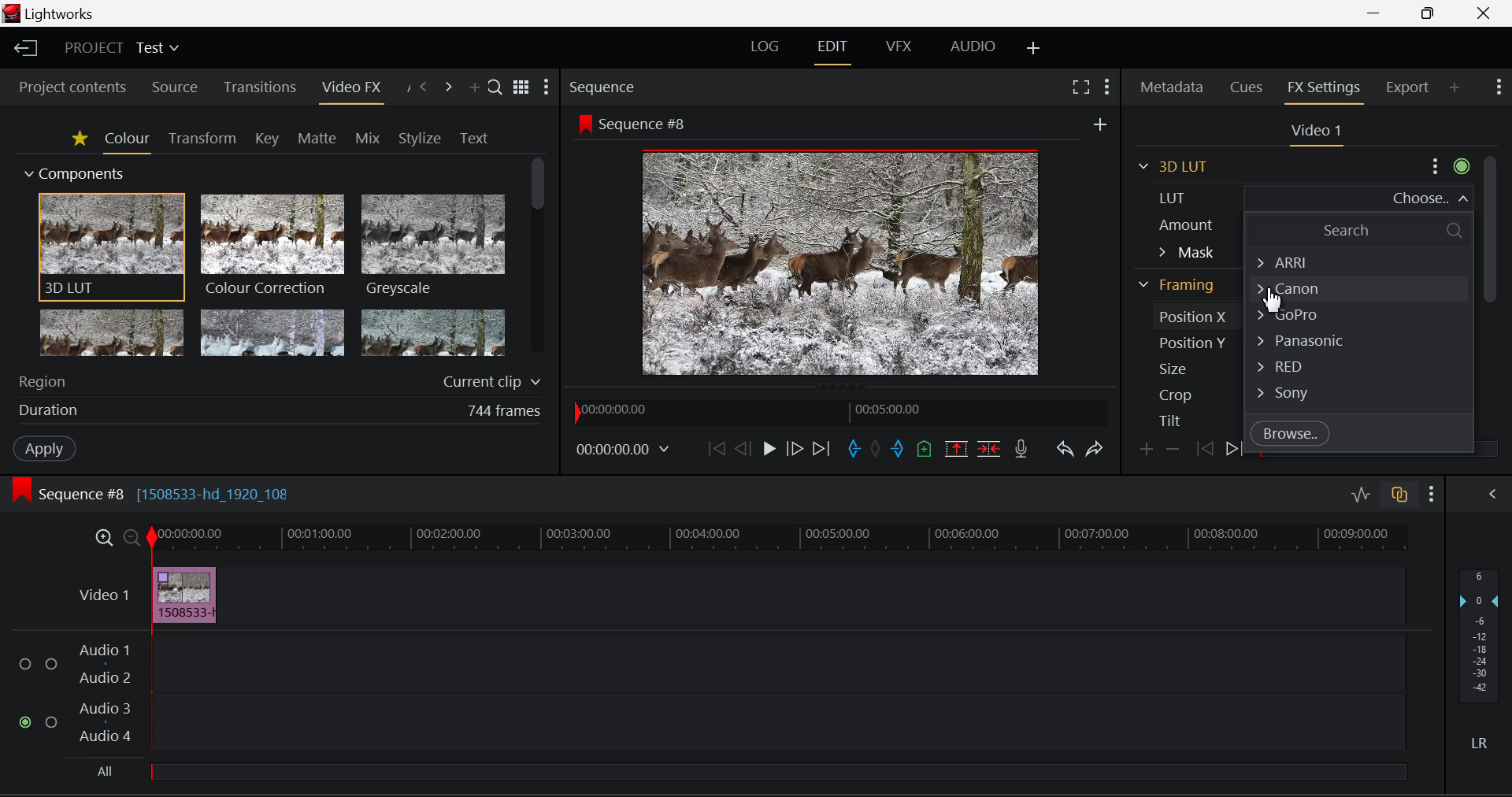 This screenshot has width=1512, height=797. I want to click on Search, so click(1356, 229).